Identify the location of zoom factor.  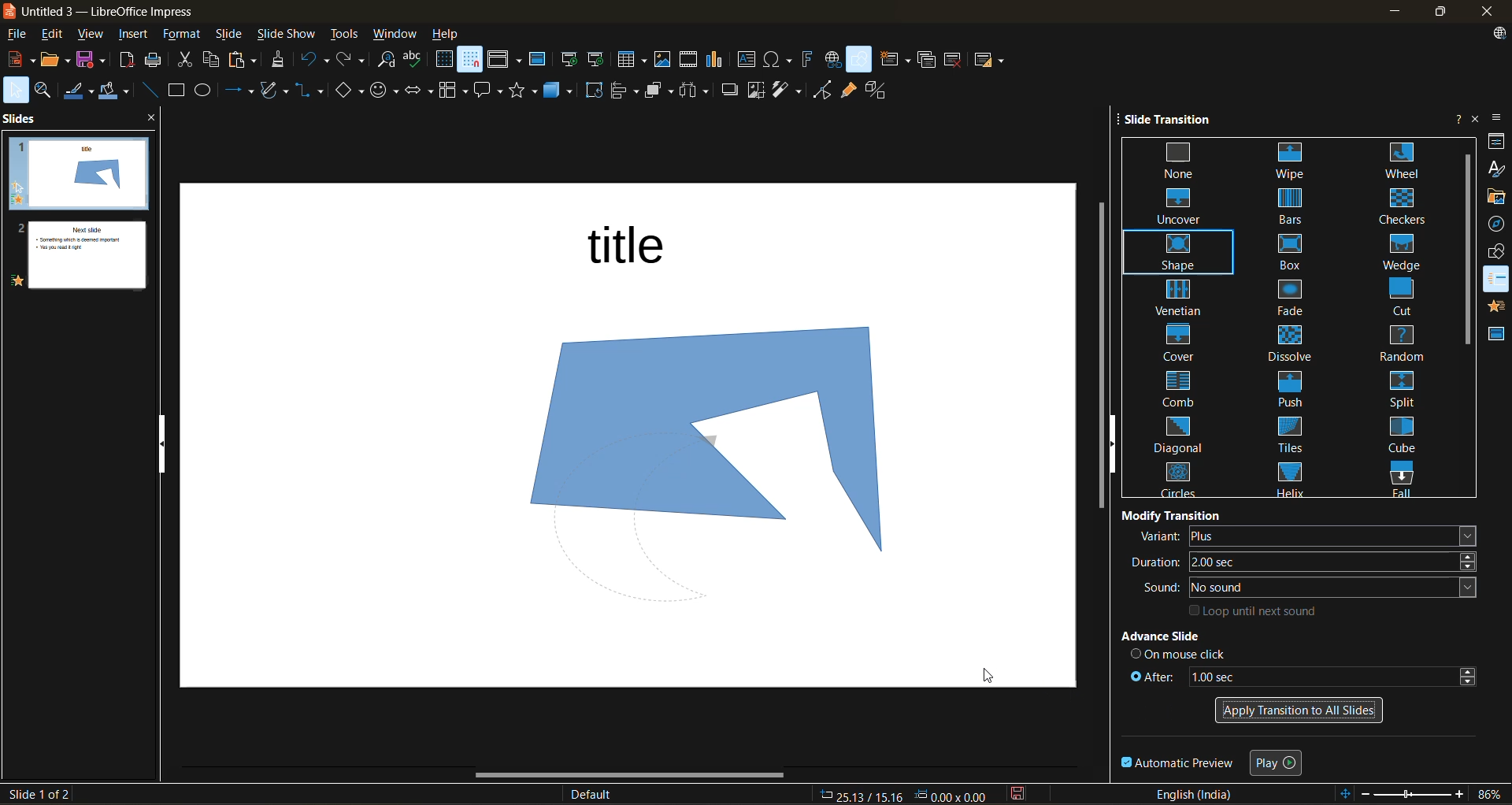
(1488, 793).